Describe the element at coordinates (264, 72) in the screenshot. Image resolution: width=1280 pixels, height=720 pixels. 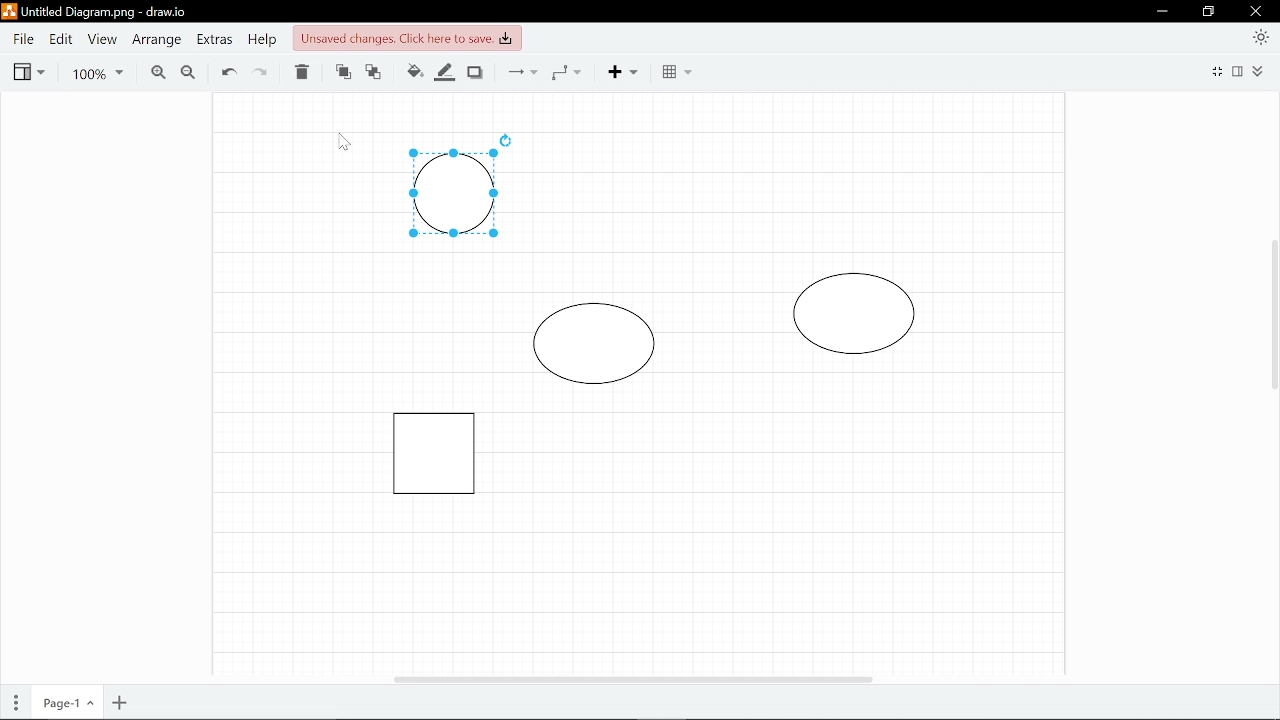
I see `Redo` at that location.